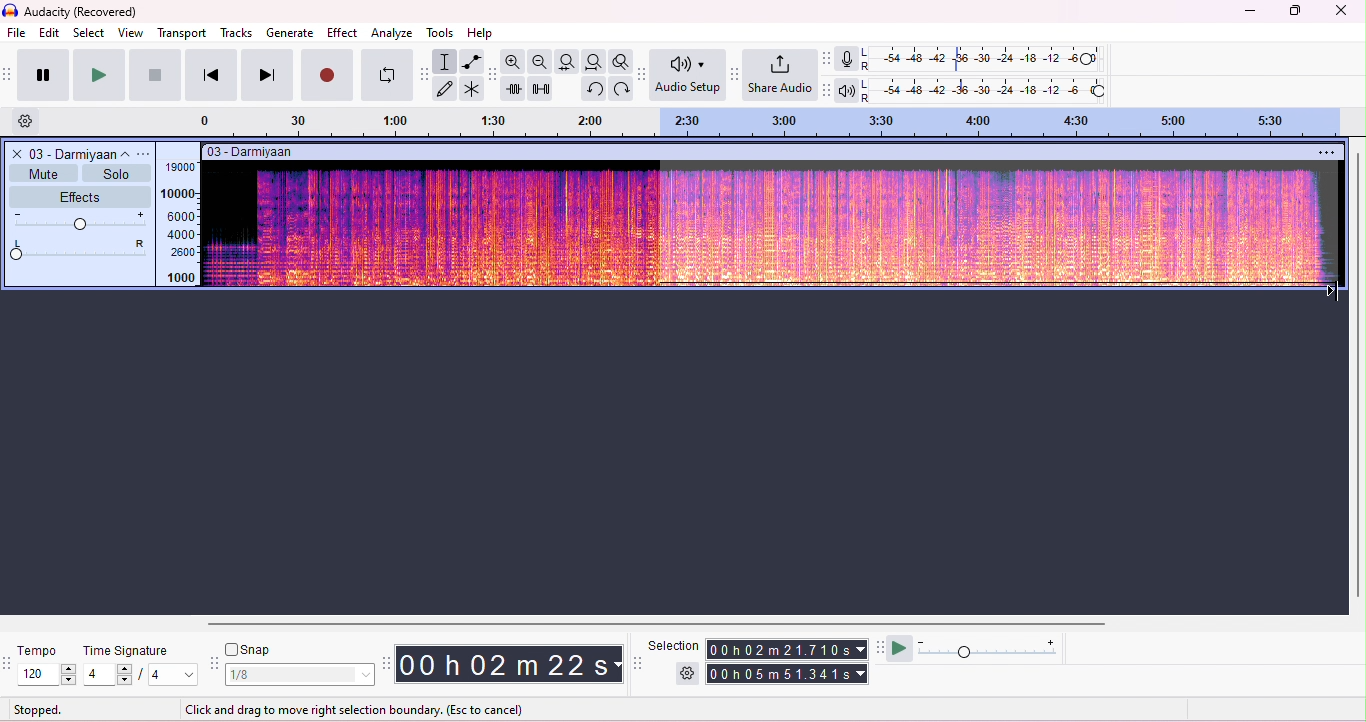 Image resolution: width=1366 pixels, height=722 pixels. Describe the element at coordinates (1342, 11) in the screenshot. I see `close` at that location.